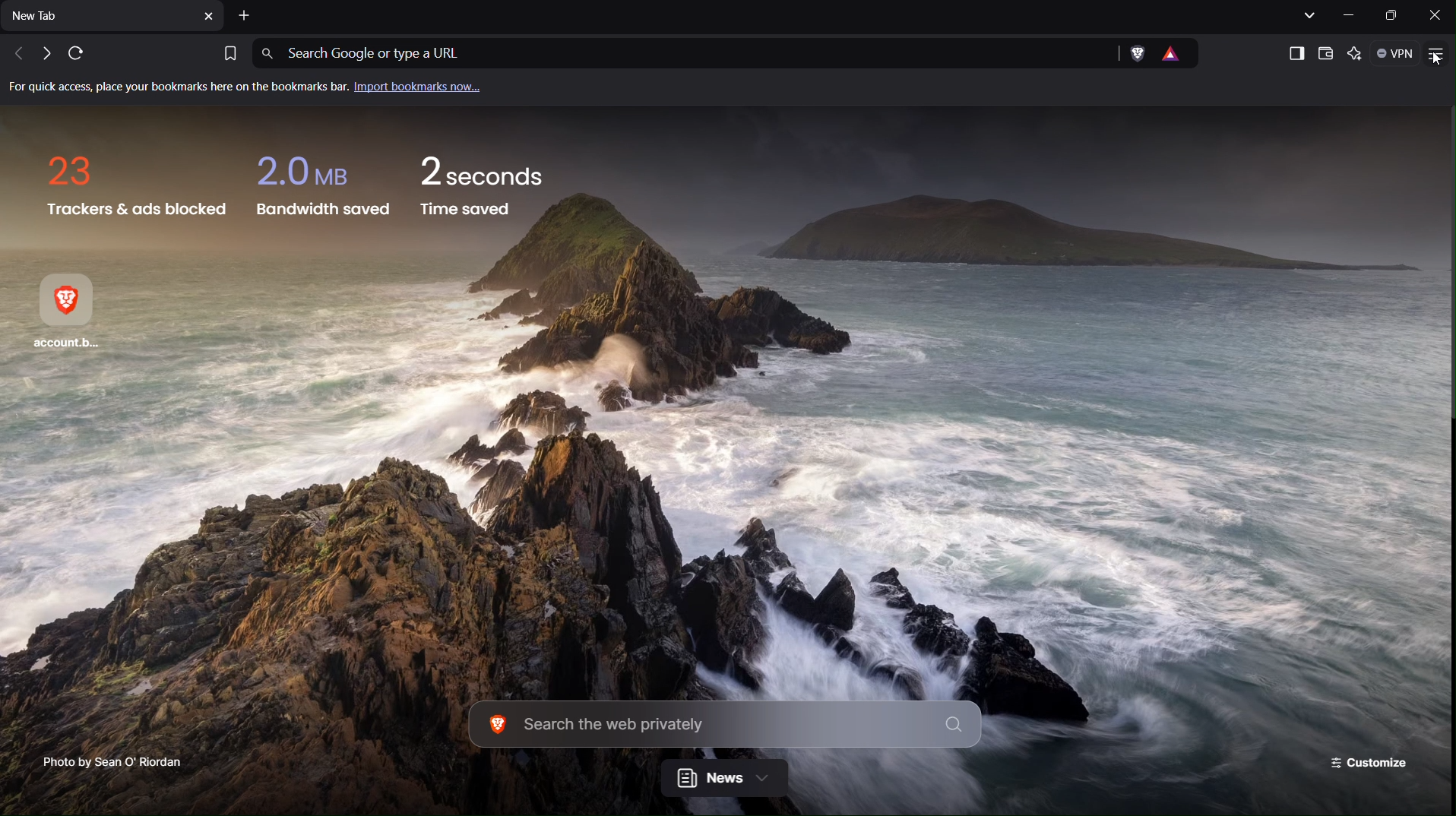 The height and width of the screenshot is (816, 1456). I want to click on Import Bookmarks message, so click(255, 89).